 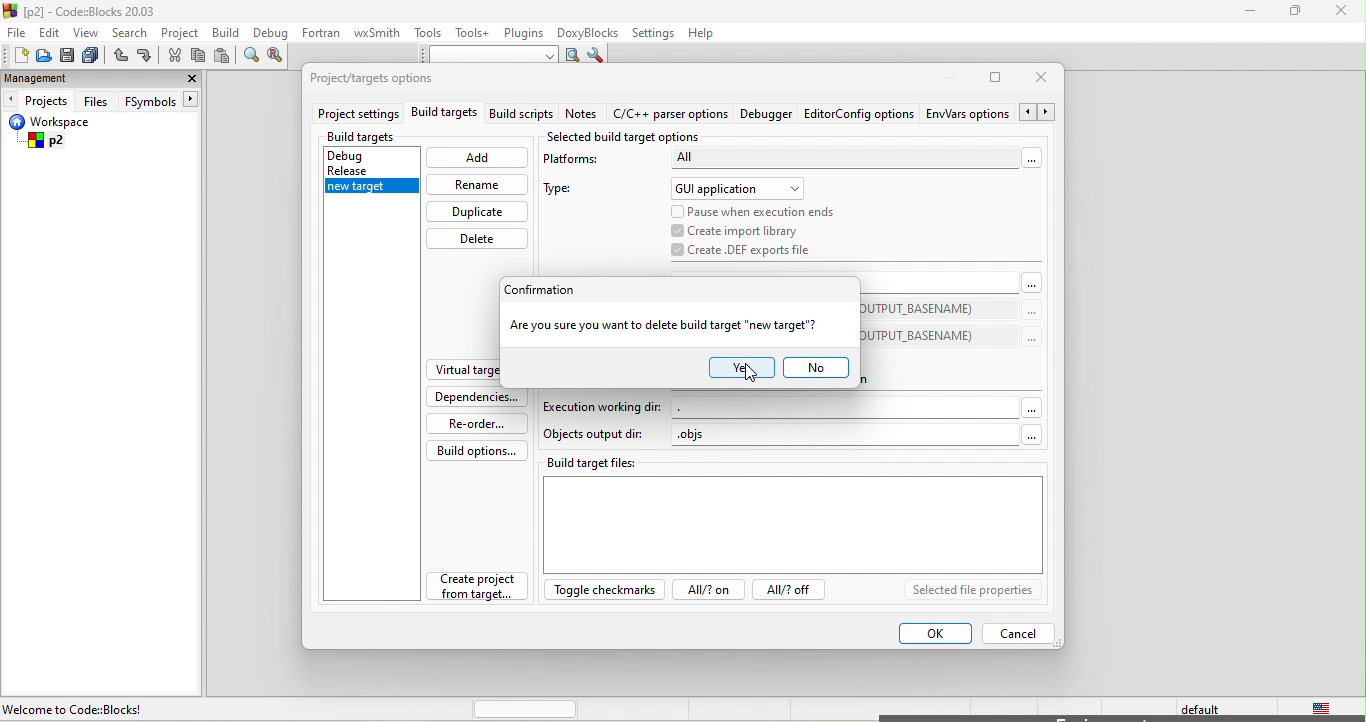 I want to click on wxsmith, so click(x=379, y=32).